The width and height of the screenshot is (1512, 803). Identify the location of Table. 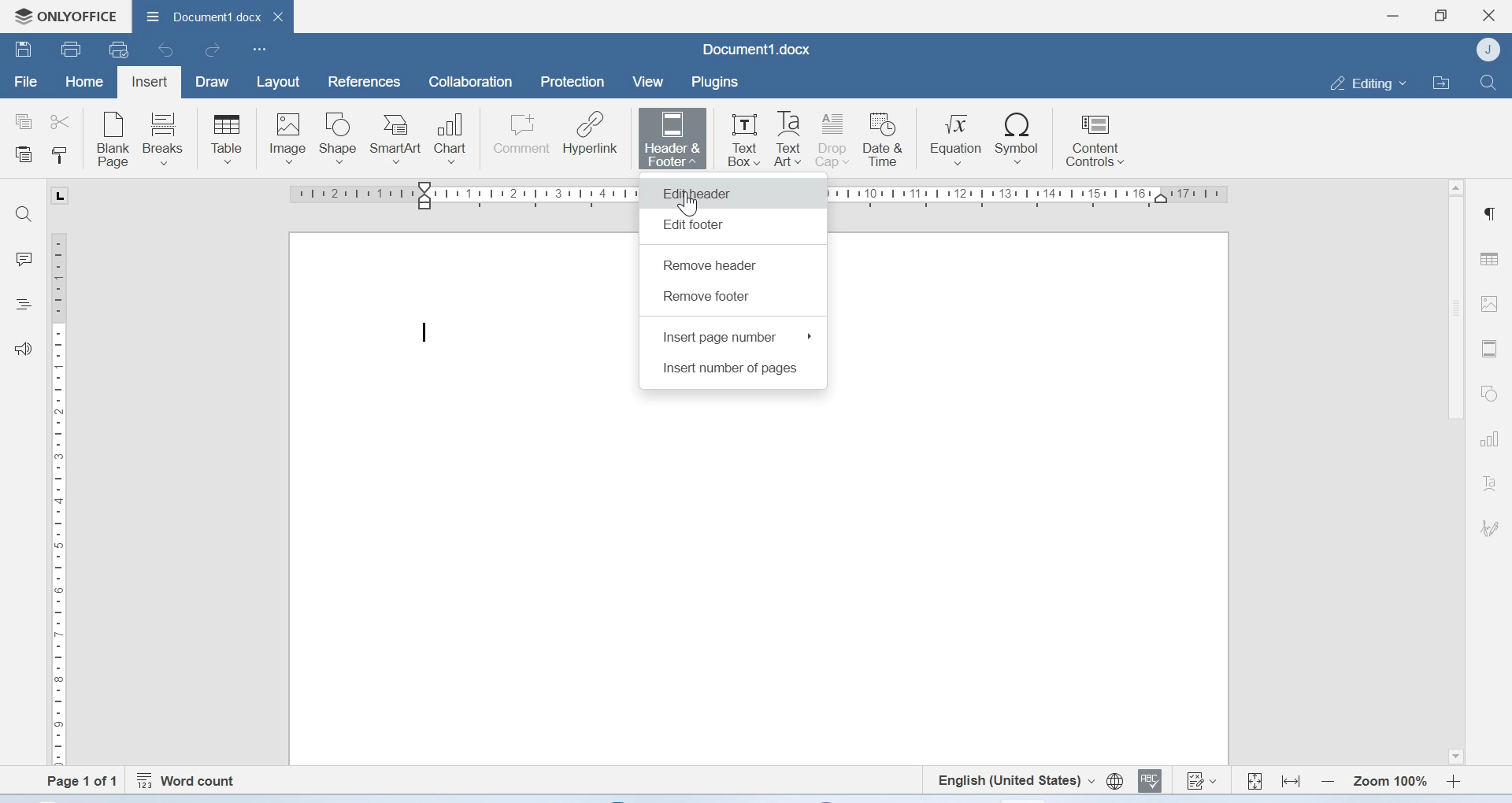
(1492, 254).